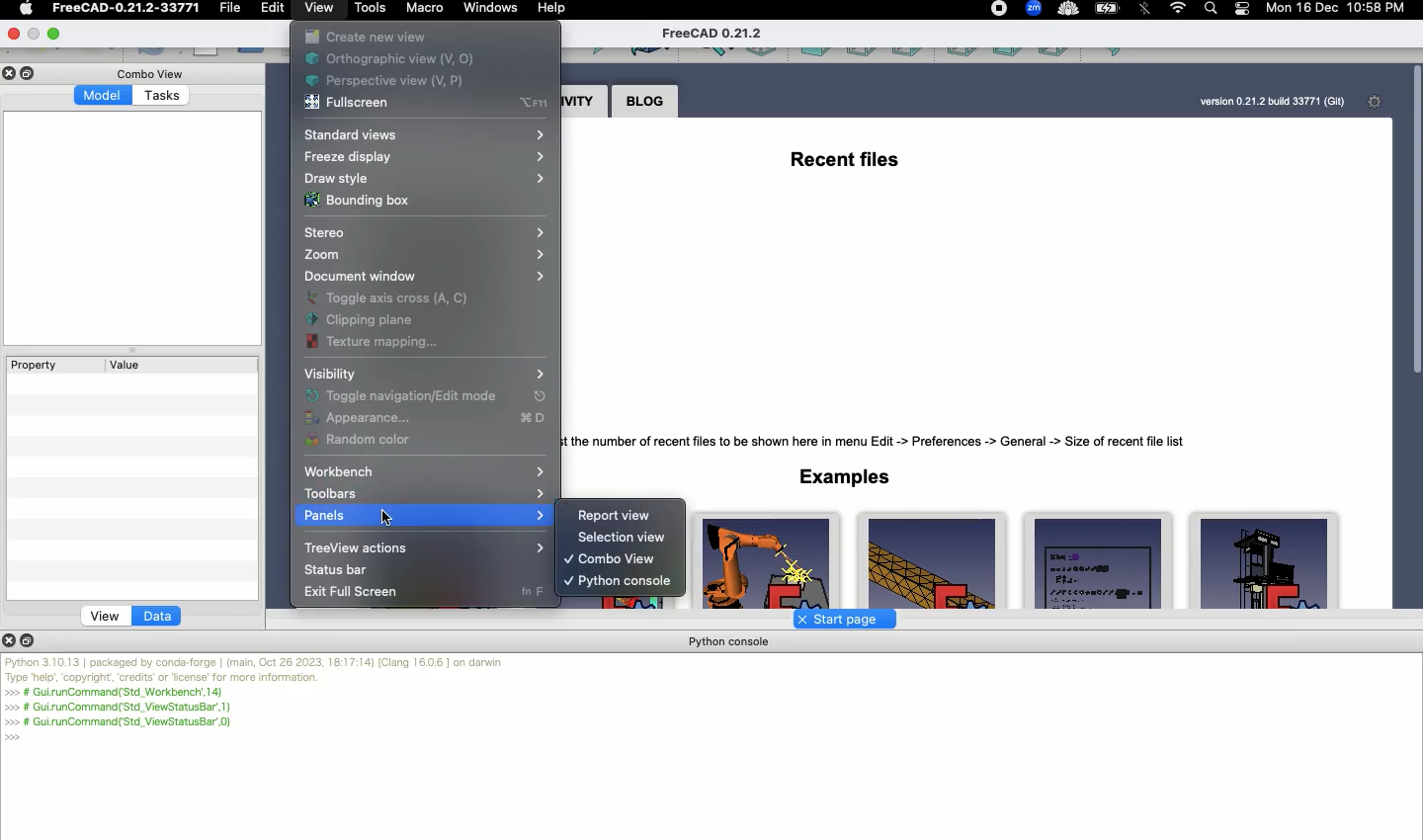 This screenshot has height=840, width=1423. What do you see at coordinates (423, 419) in the screenshot?
I see `Appearance` at bounding box center [423, 419].